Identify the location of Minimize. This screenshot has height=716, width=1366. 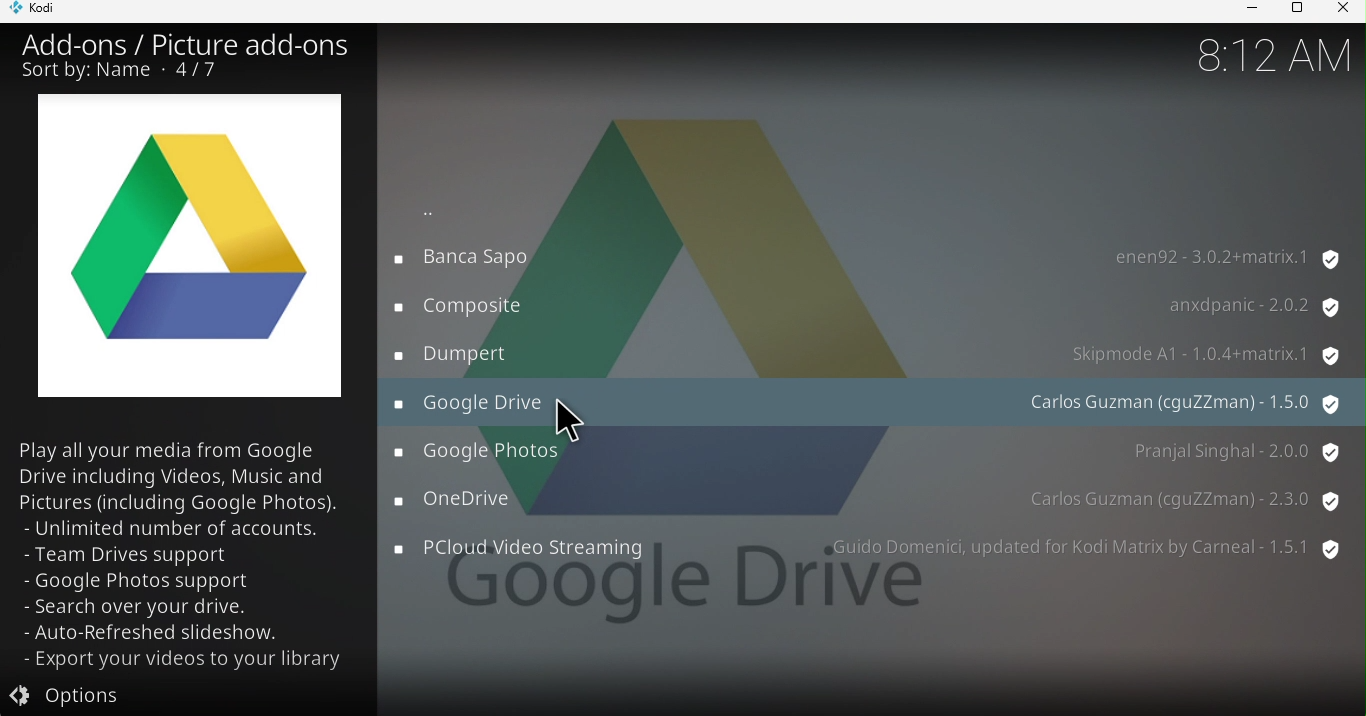
(1246, 11).